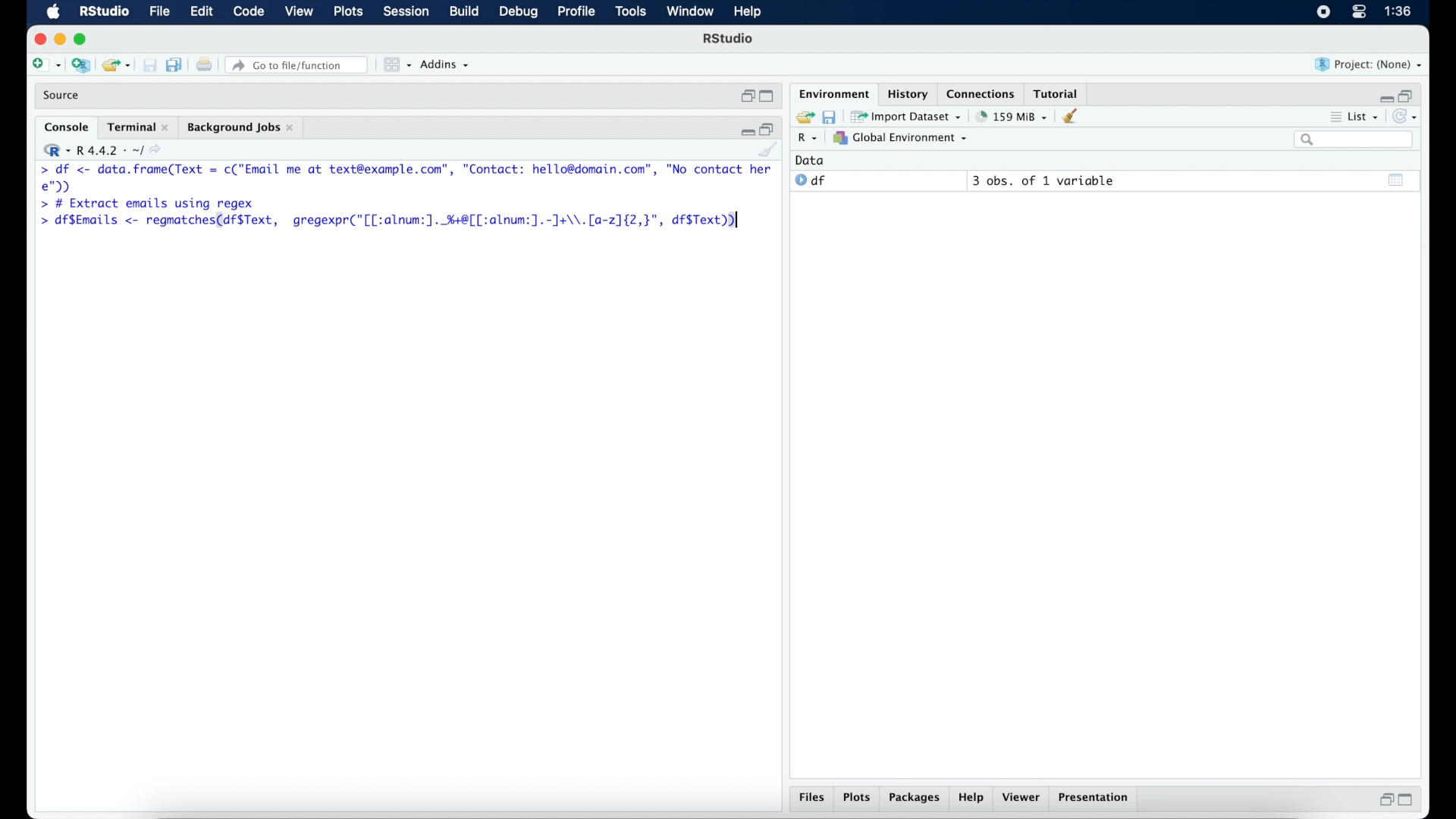  Describe the element at coordinates (748, 12) in the screenshot. I see `help` at that location.